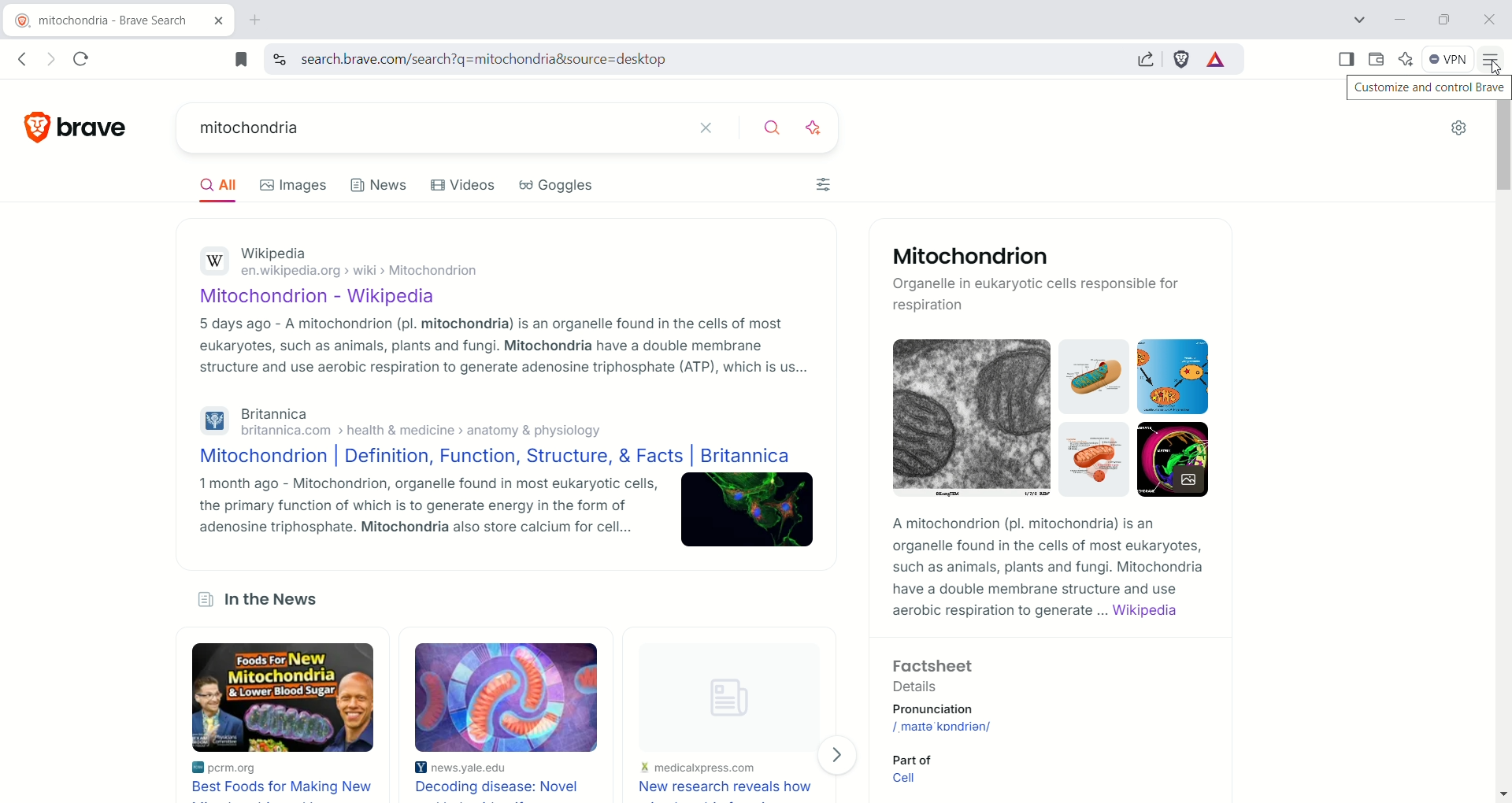 This screenshot has width=1512, height=803. Describe the element at coordinates (1493, 16) in the screenshot. I see `close` at that location.